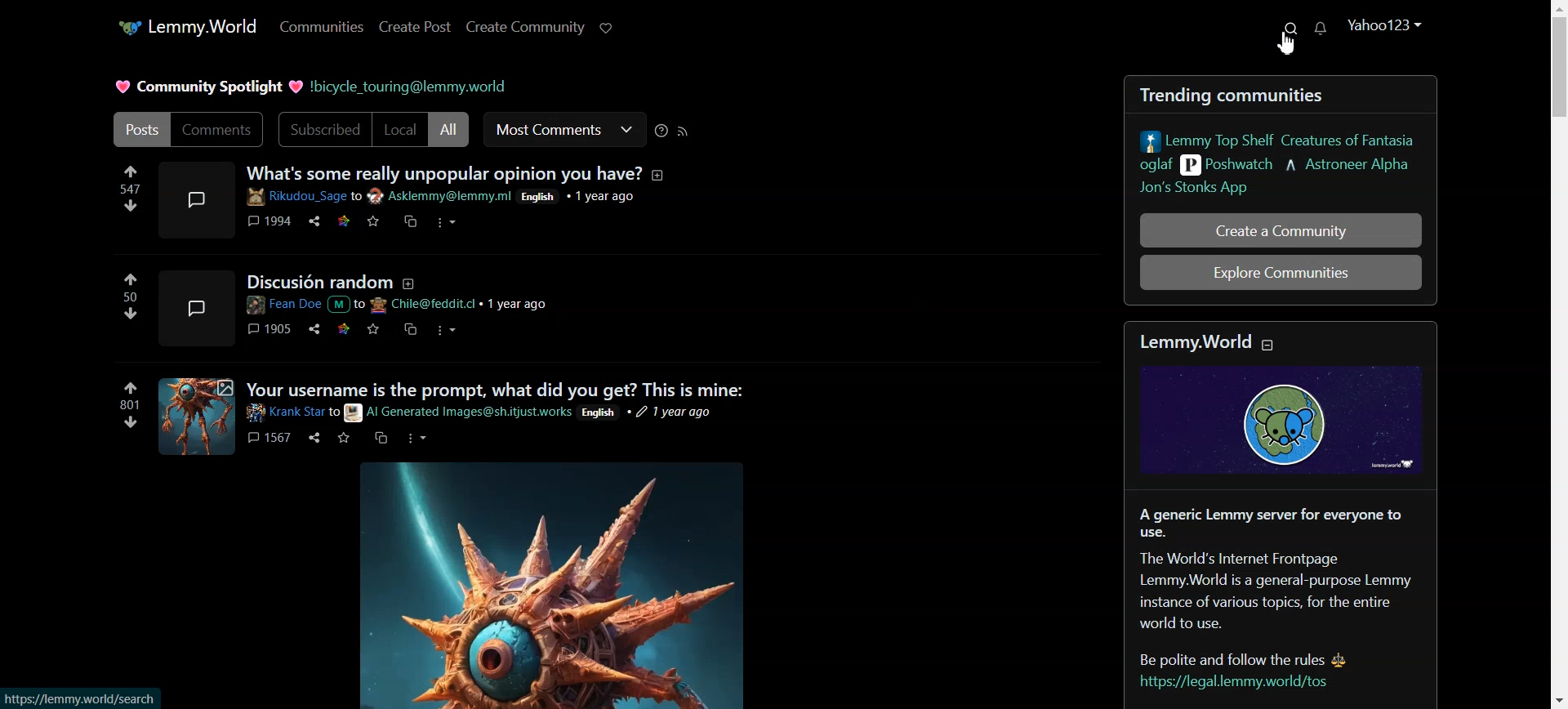 The width and height of the screenshot is (1568, 709). I want to click on Home Page, so click(187, 28).